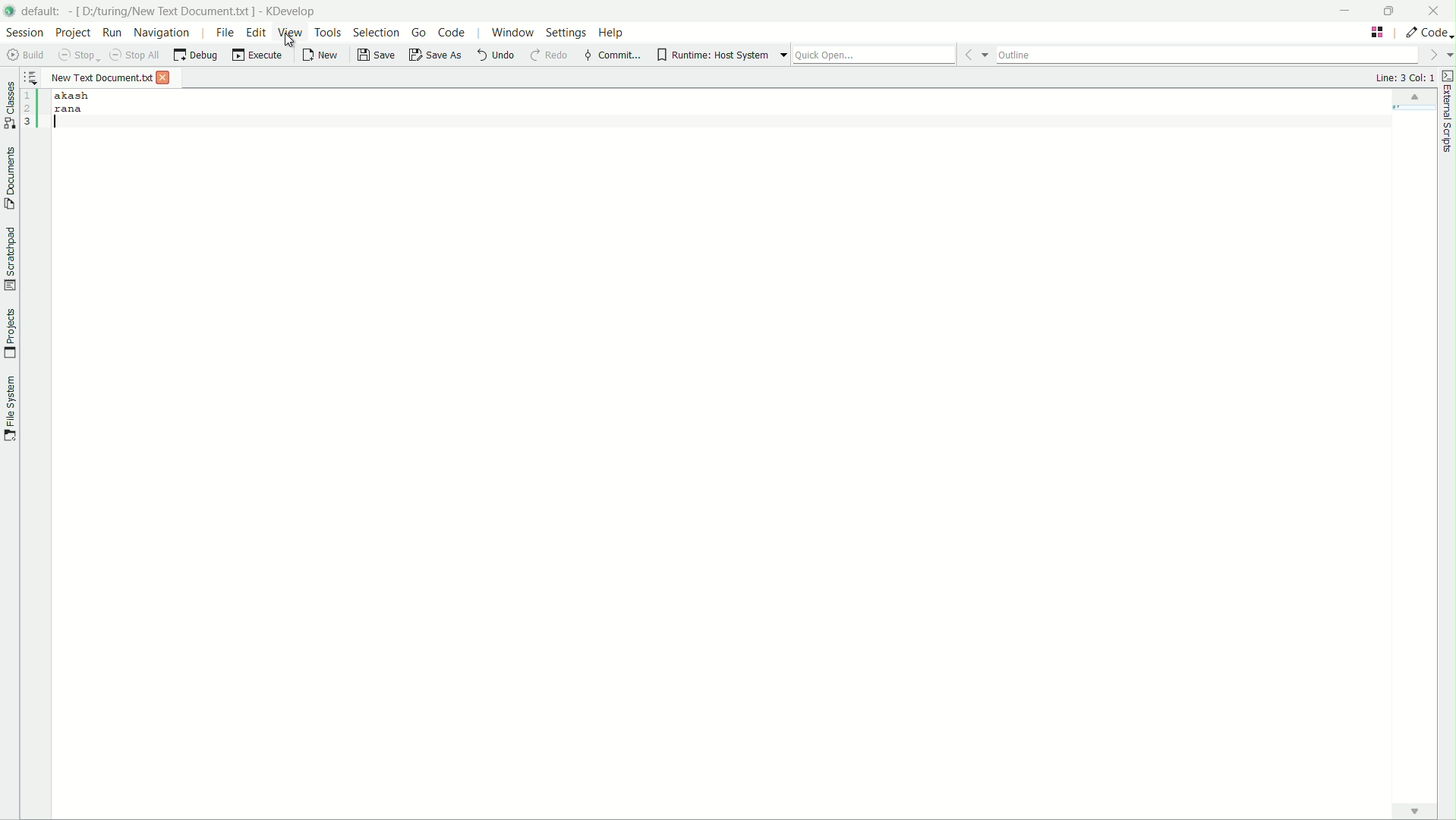 The image size is (1456, 820). Describe the element at coordinates (612, 55) in the screenshot. I see `commit` at that location.